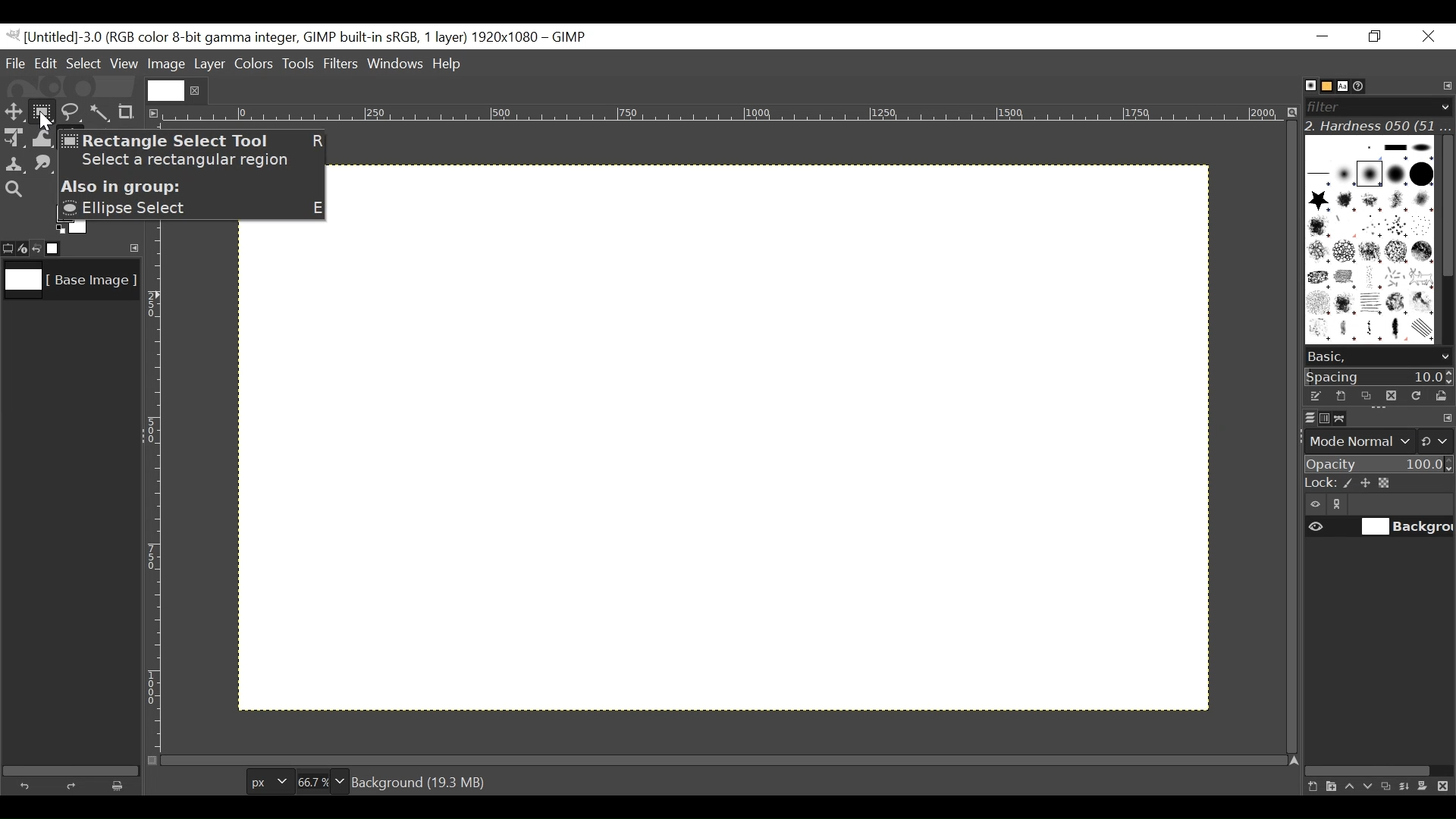  What do you see at coordinates (254, 64) in the screenshot?
I see `Colors` at bounding box center [254, 64].